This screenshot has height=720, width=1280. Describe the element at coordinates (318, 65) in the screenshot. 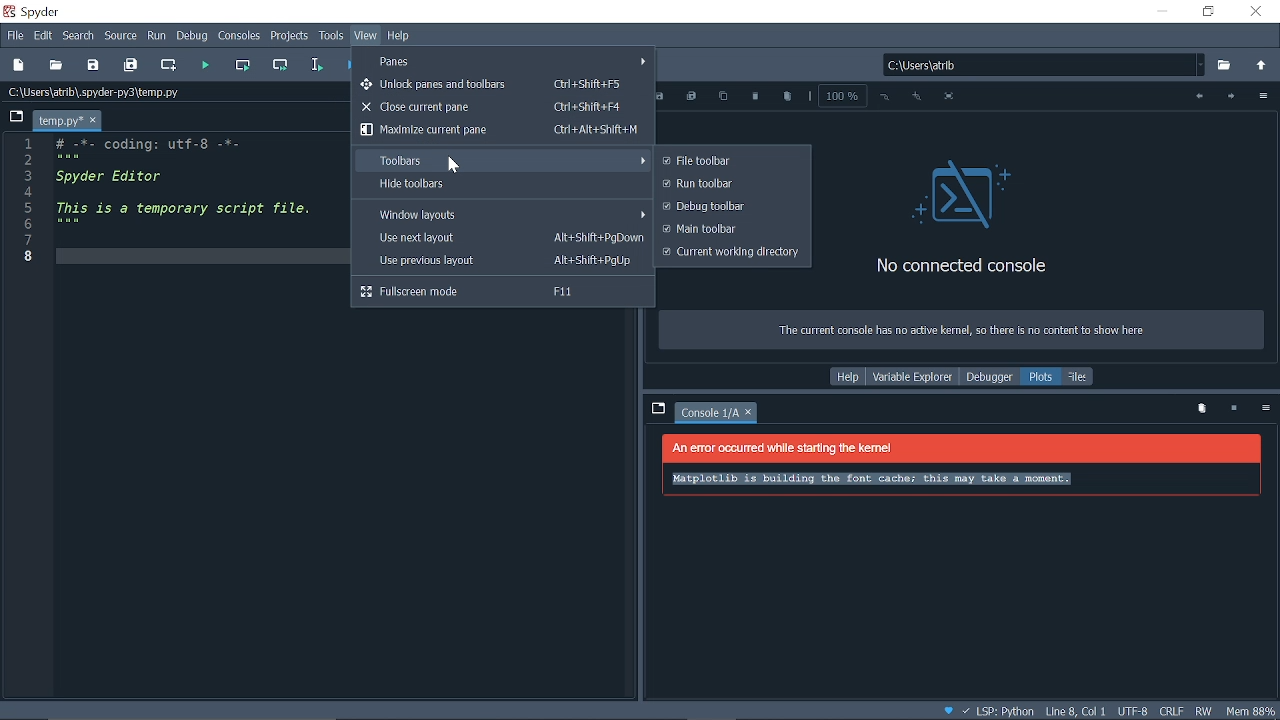

I see `Run selection or current line` at that location.